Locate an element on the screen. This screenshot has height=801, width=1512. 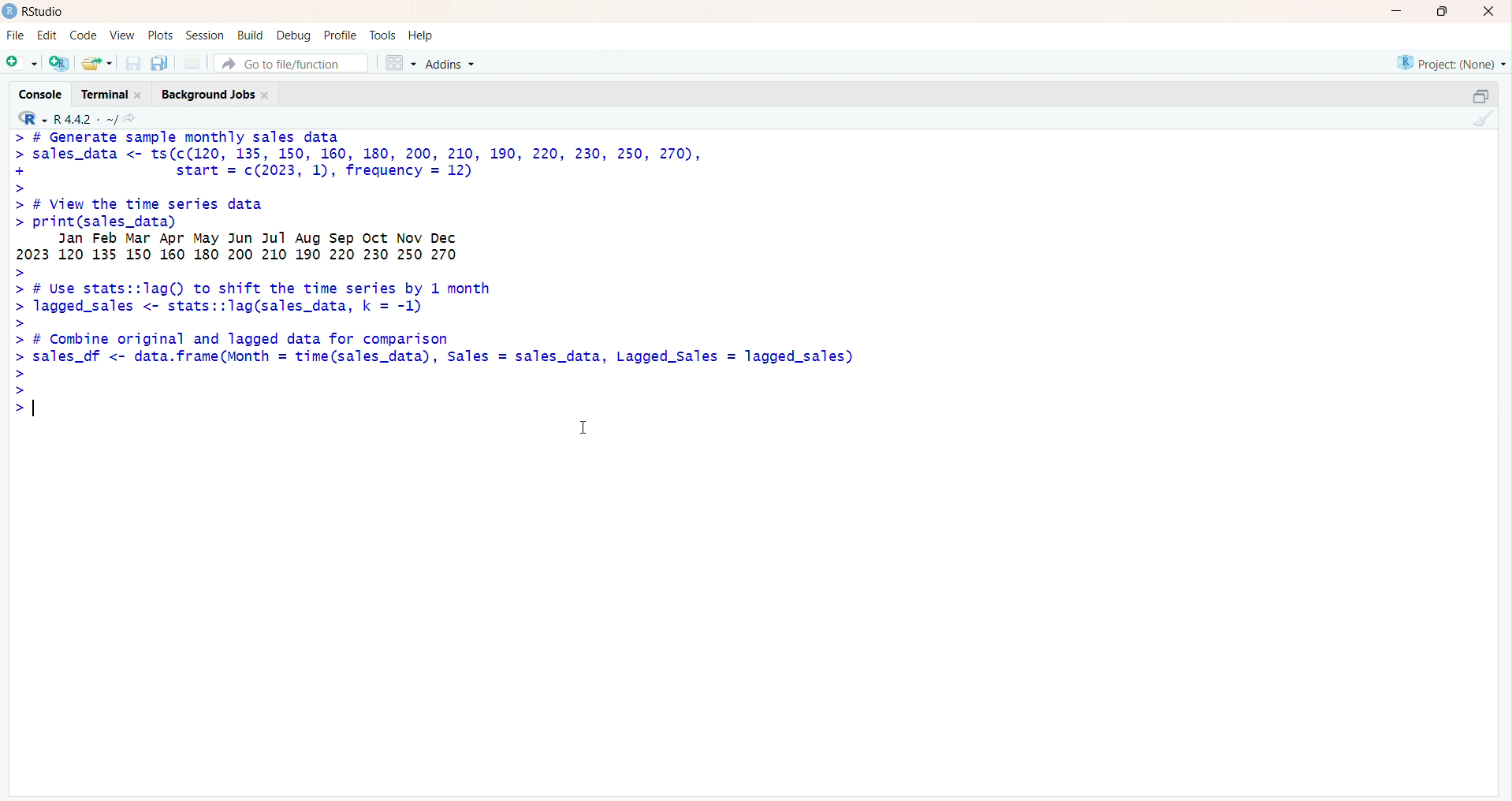
# Generate sample monthly sales data sales_data <- ts(c(120, 135, 150, 160, 180, 200, 210, 190, 220, 230, 250, 270),start = c(2023, 1), frequency = 12) is located at coordinates (385, 161).